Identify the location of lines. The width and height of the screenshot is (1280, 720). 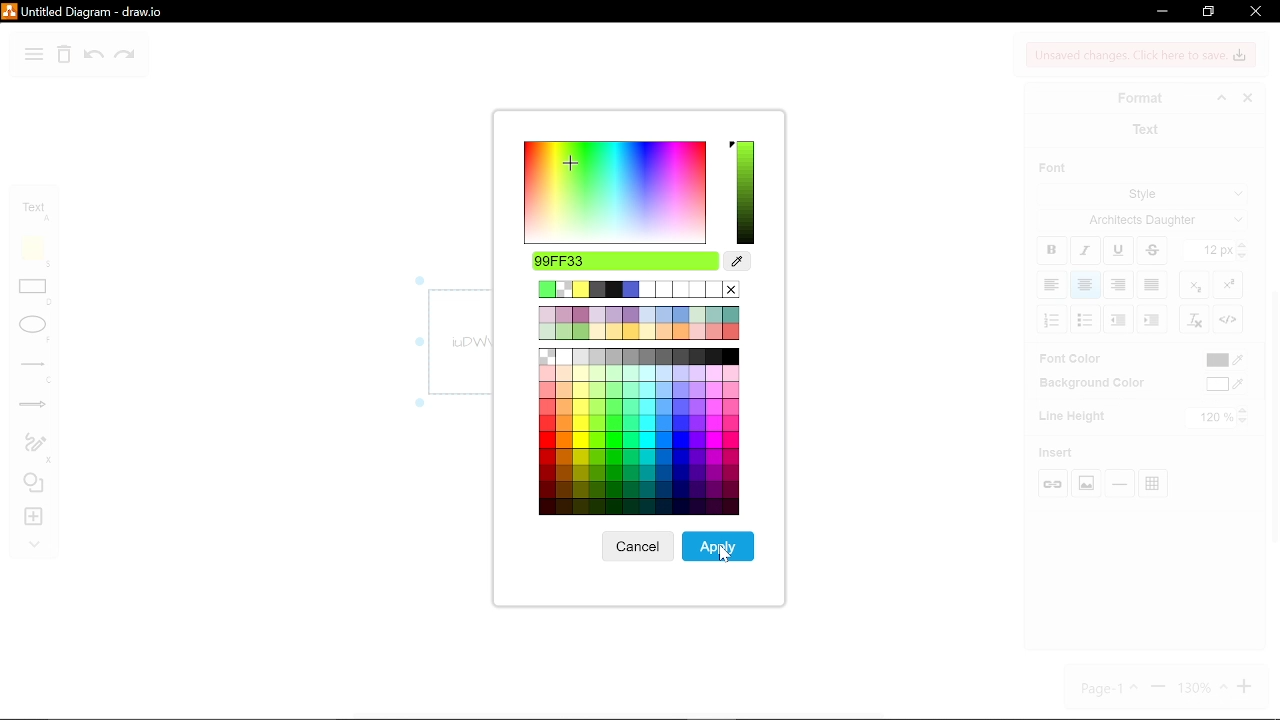
(27, 368).